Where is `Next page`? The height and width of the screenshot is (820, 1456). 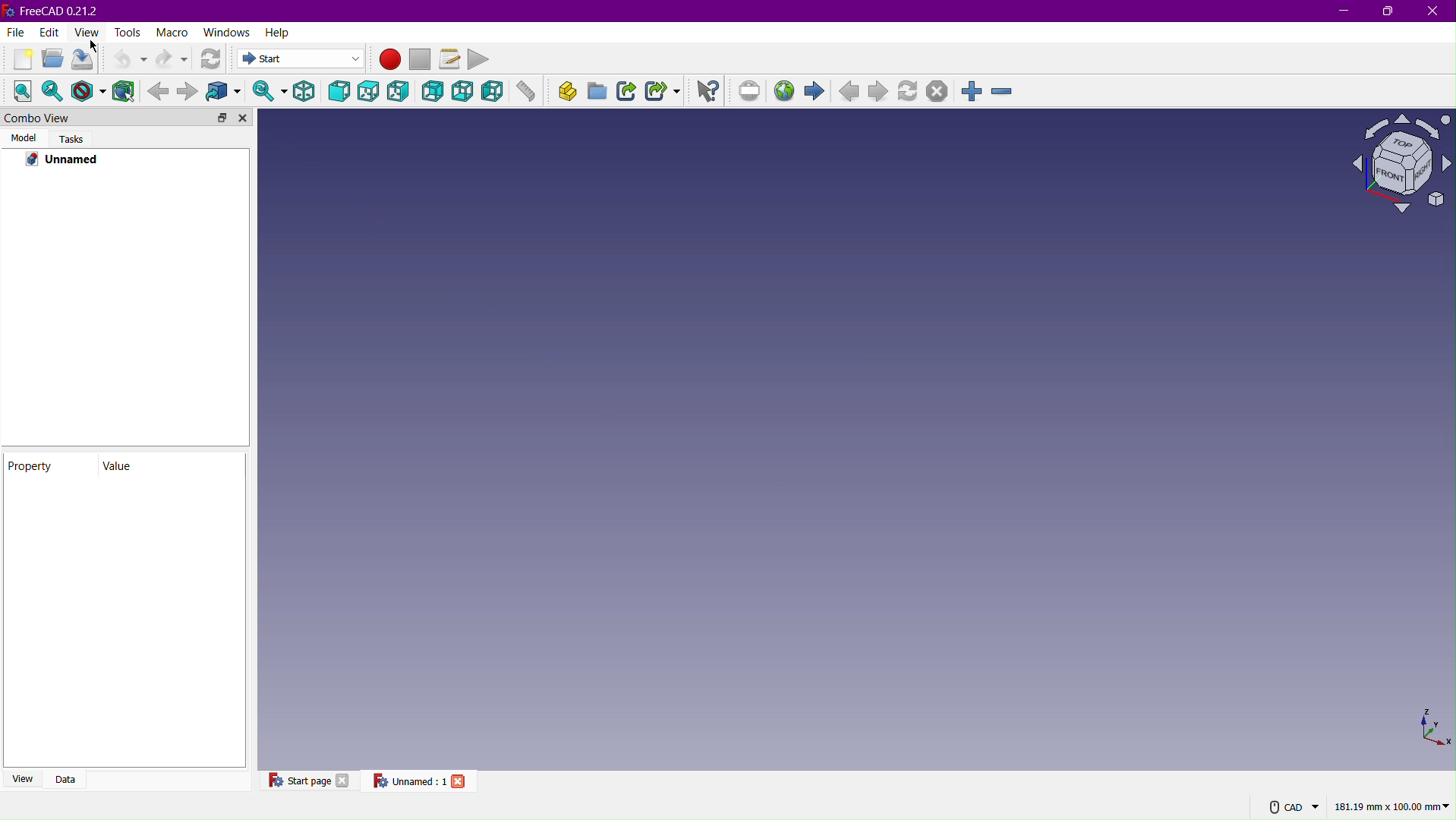
Next page is located at coordinates (877, 91).